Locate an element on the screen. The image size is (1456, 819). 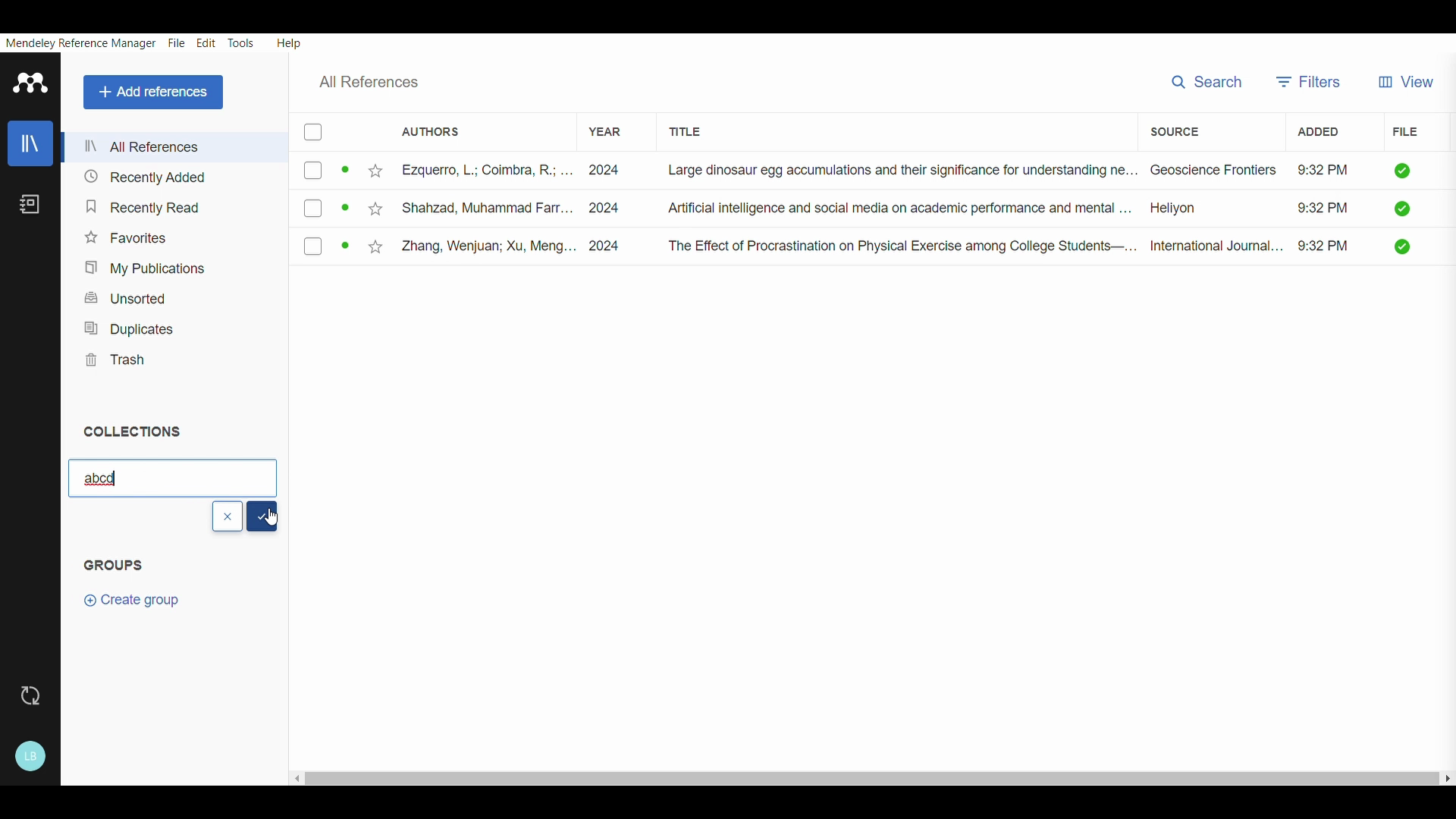
Edit is located at coordinates (205, 42).